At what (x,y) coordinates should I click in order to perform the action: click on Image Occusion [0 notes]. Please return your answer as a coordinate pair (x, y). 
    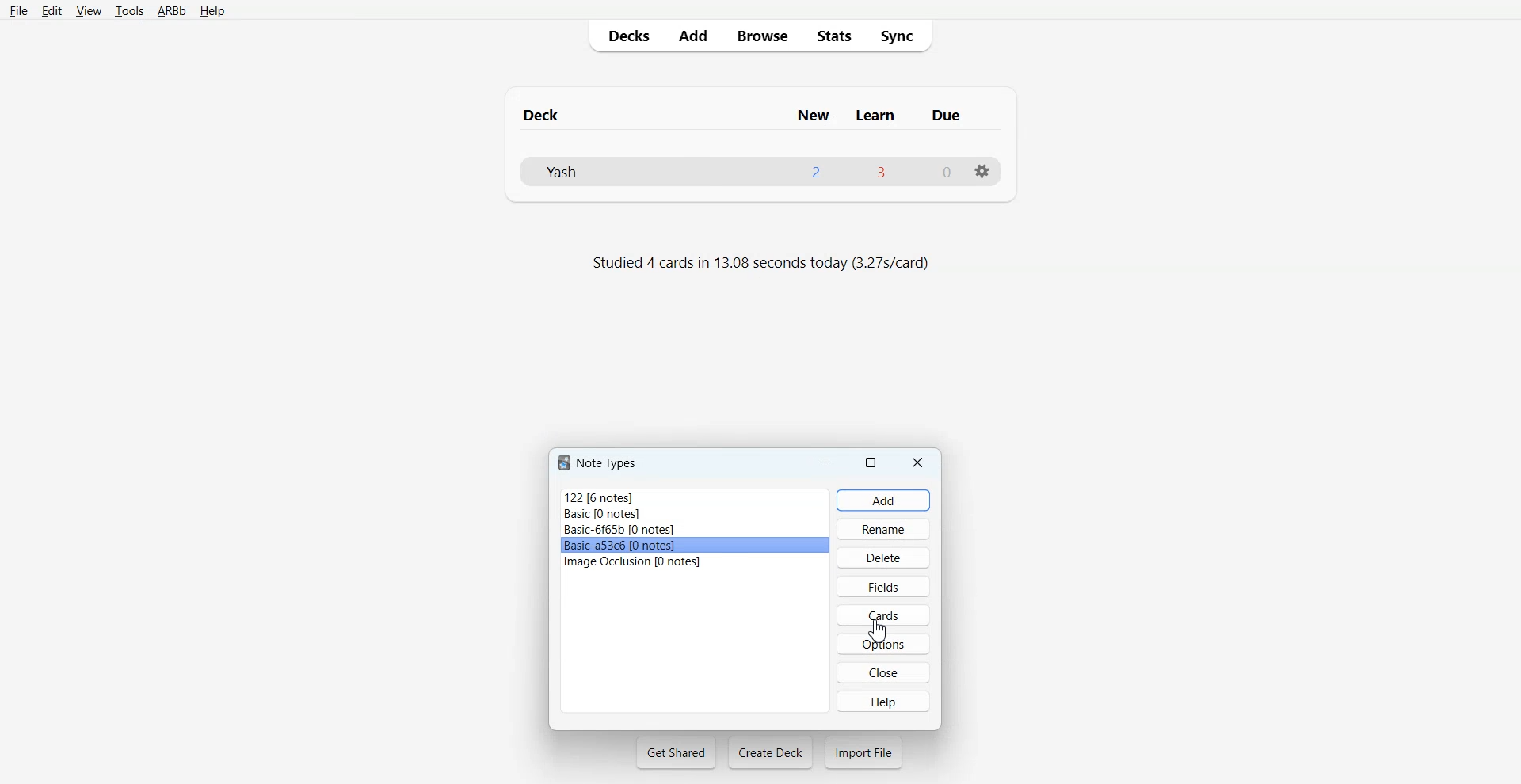
    Looking at the image, I should click on (696, 561).